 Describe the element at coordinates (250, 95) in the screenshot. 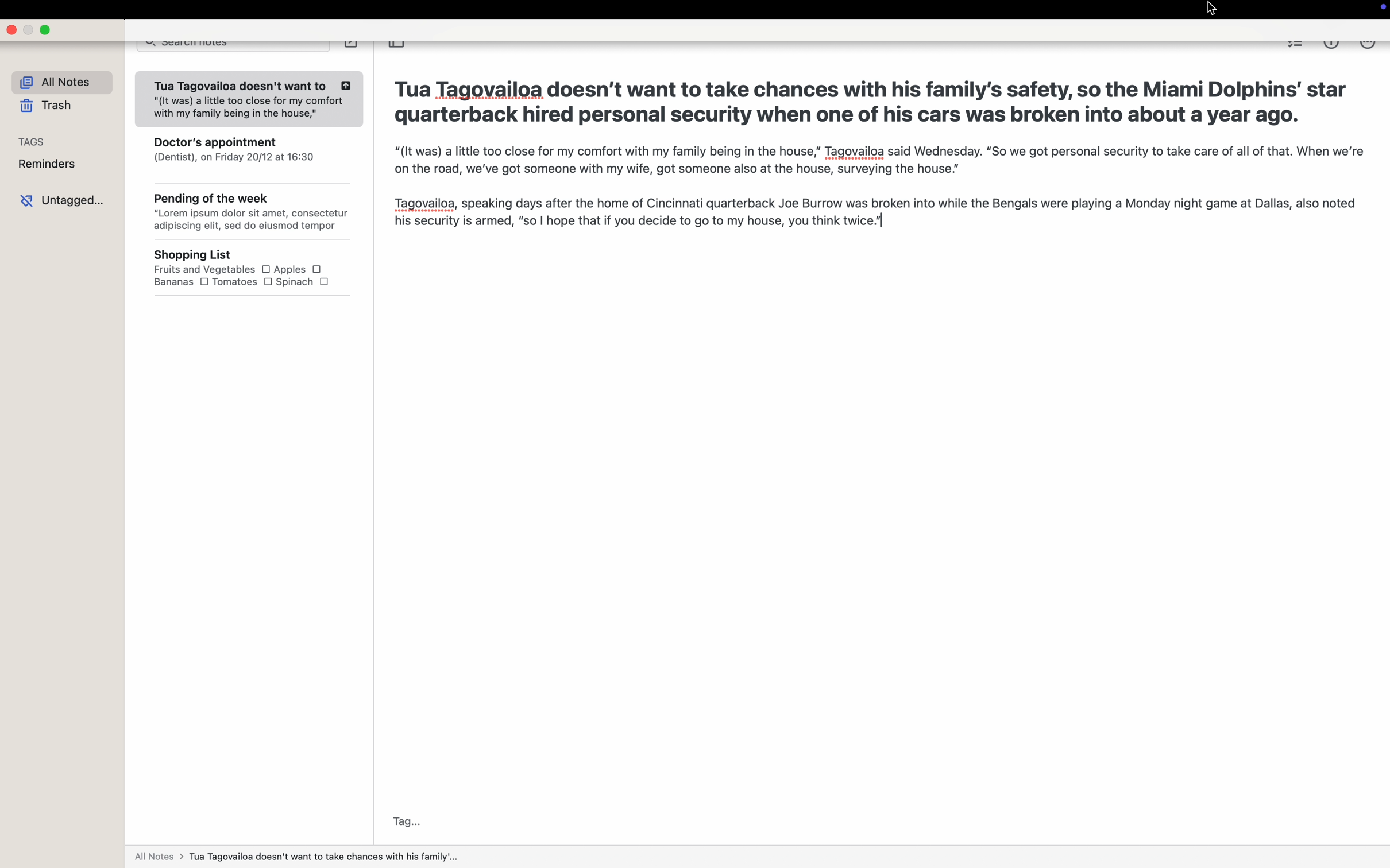

I see `Tua Tagovailoa doesn't want to
"(It was) a little too close for my comfort
with my family being in the house,"` at that location.